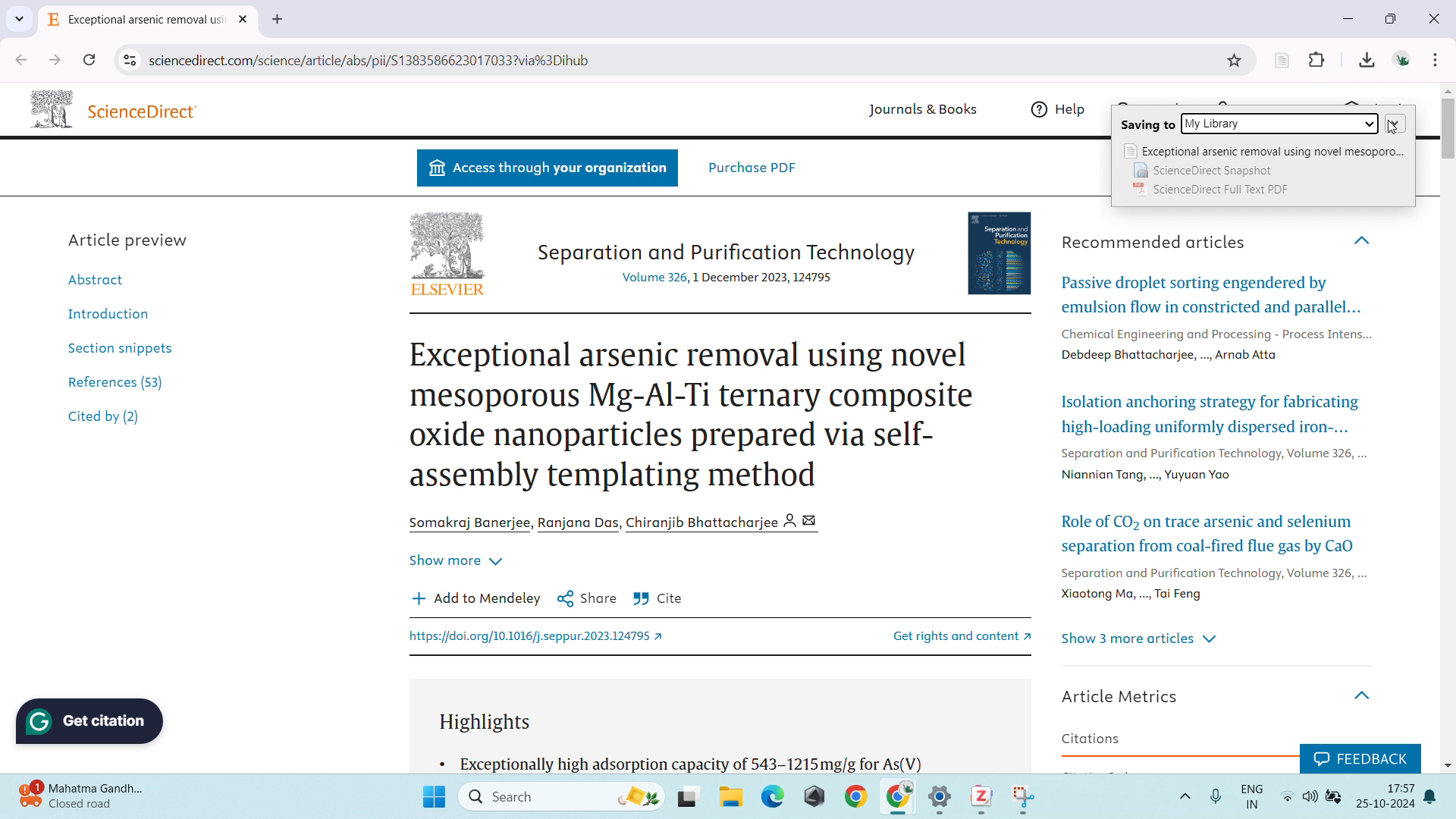  I want to click on Hide, so click(1364, 240).